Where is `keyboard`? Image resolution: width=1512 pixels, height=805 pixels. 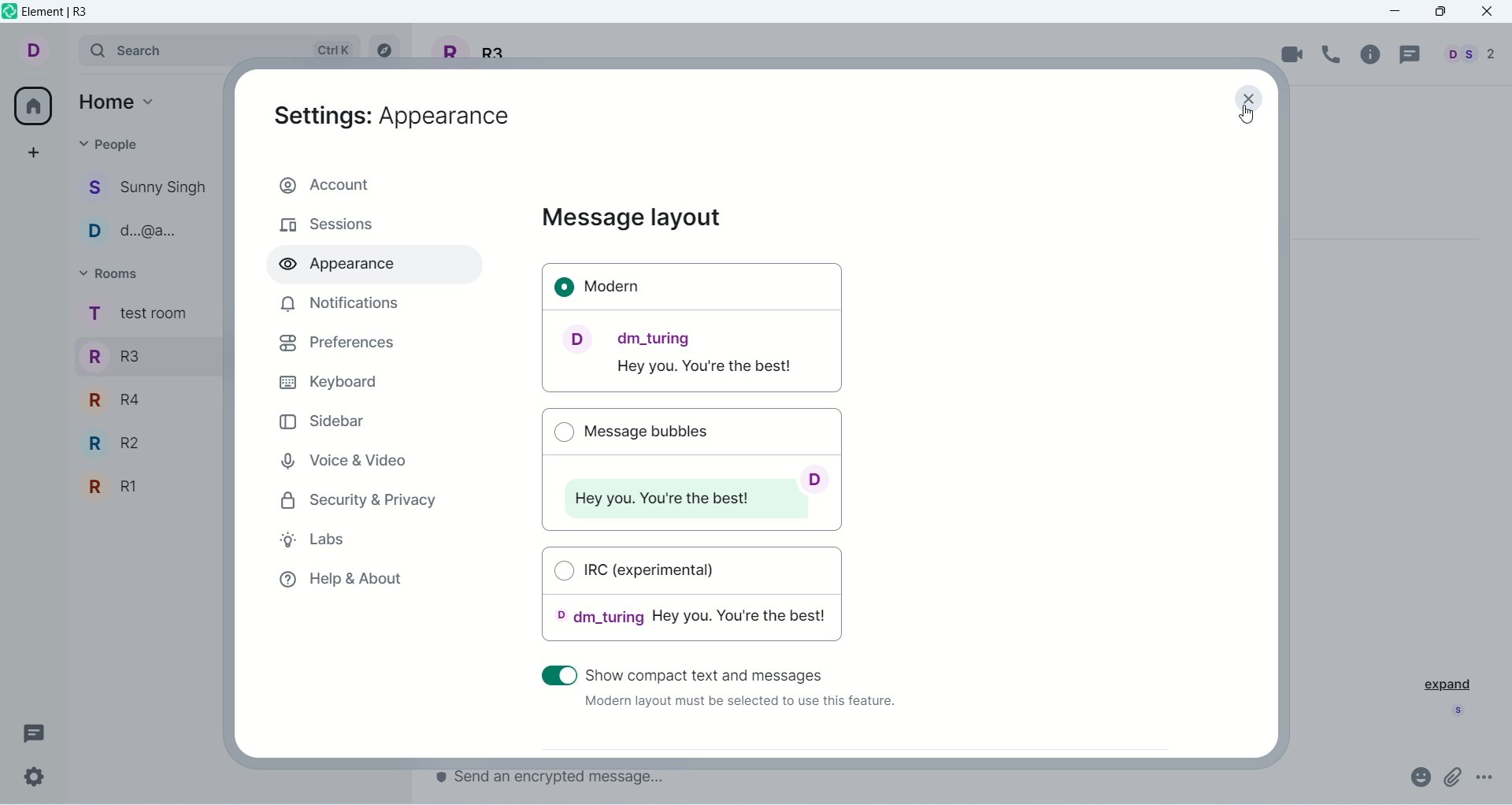
keyboard is located at coordinates (327, 380).